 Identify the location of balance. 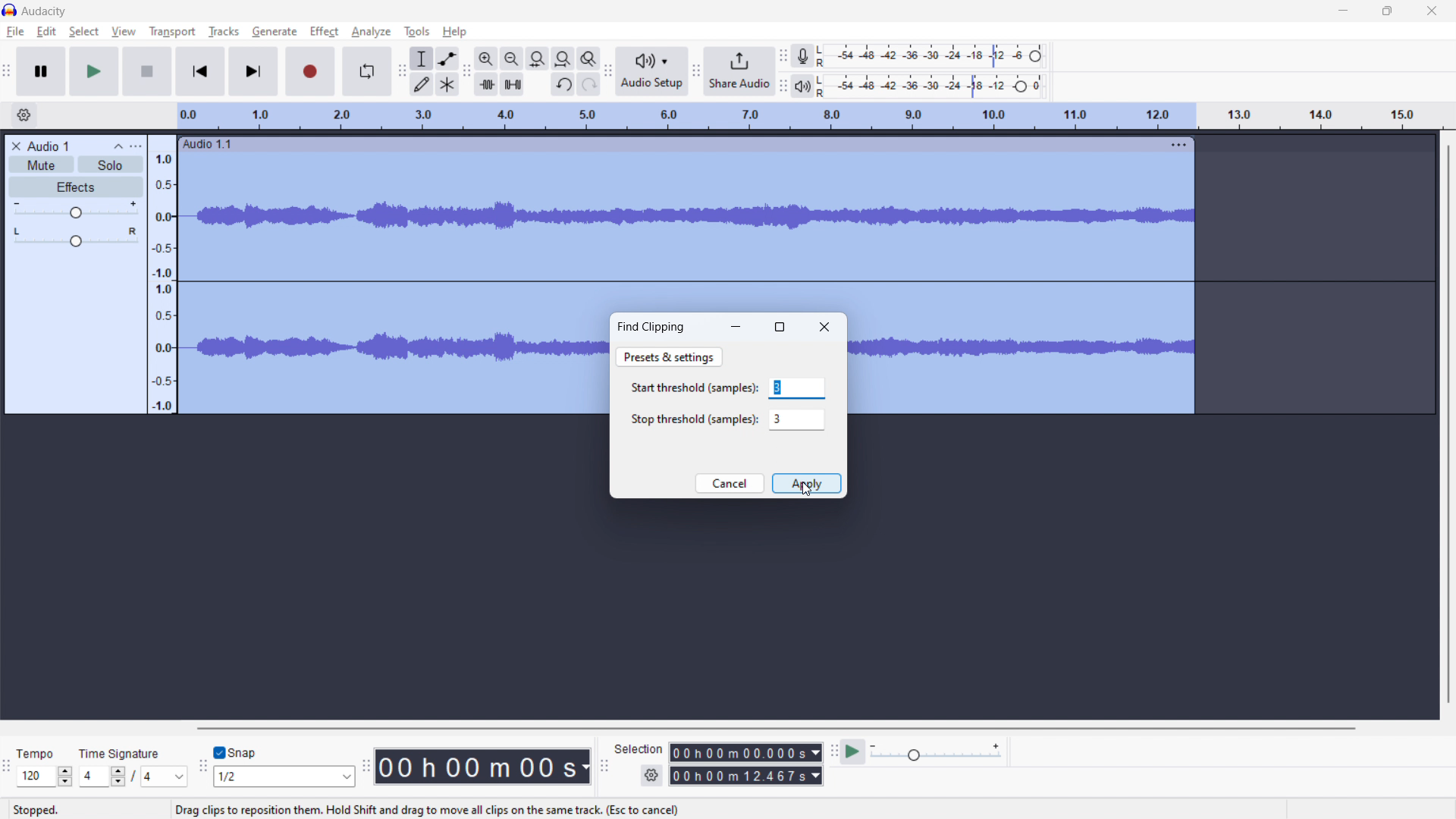
(75, 238).